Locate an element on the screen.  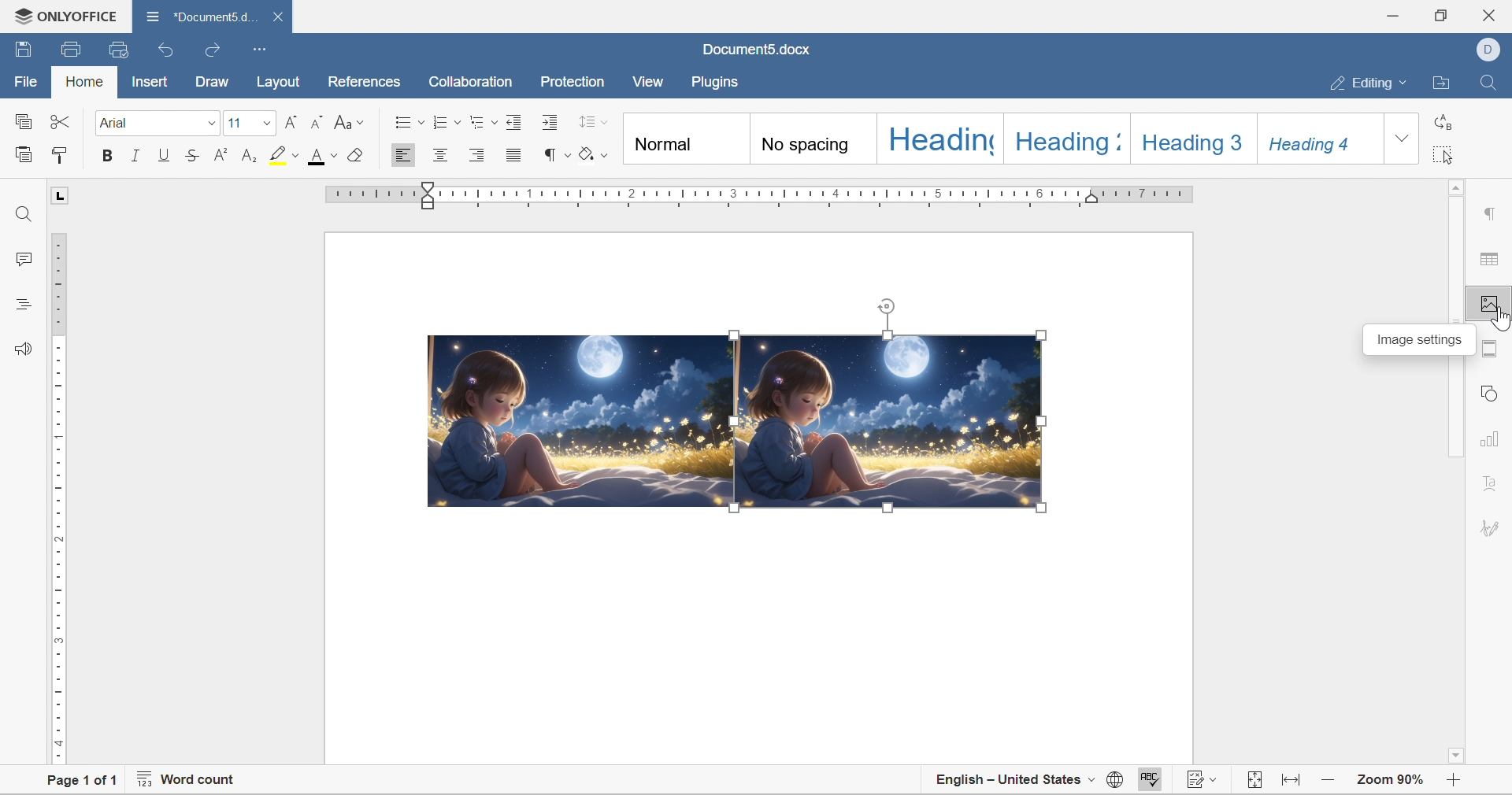
document5.docx is located at coordinates (759, 50).